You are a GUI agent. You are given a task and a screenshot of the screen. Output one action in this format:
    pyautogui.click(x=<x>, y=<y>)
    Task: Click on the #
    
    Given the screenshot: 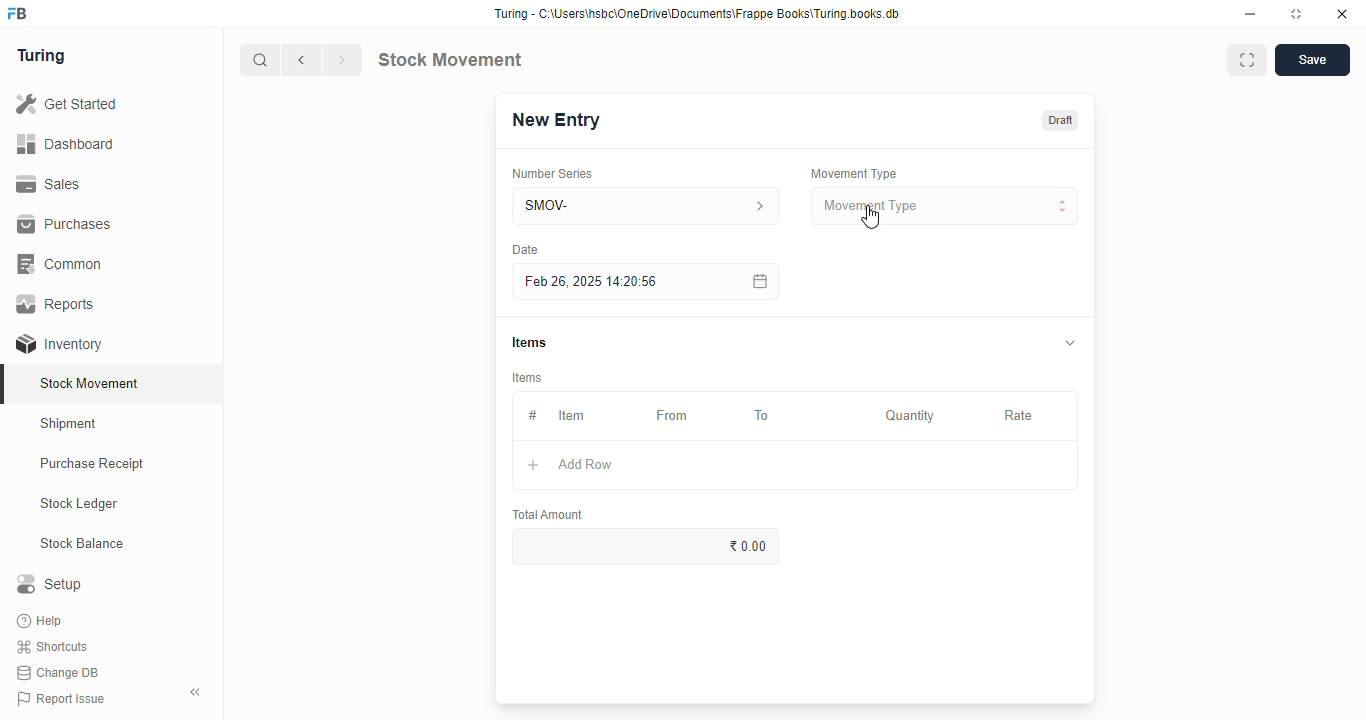 What is the action you would take?
    pyautogui.click(x=533, y=416)
    